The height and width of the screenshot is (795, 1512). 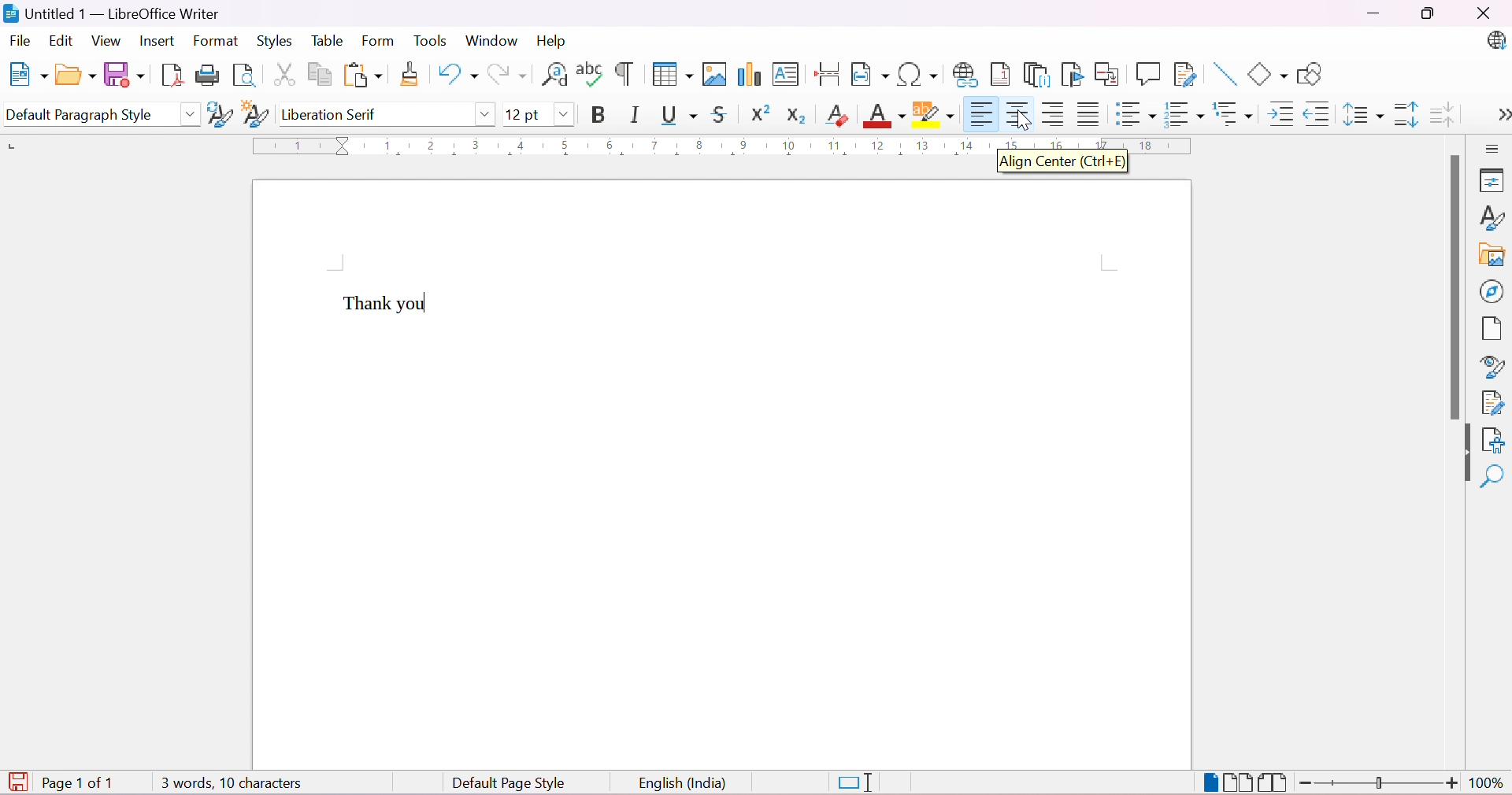 What do you see at coordinates (124, 74) in the screenshot?
I see `Save` at bounding box center [124, 74].